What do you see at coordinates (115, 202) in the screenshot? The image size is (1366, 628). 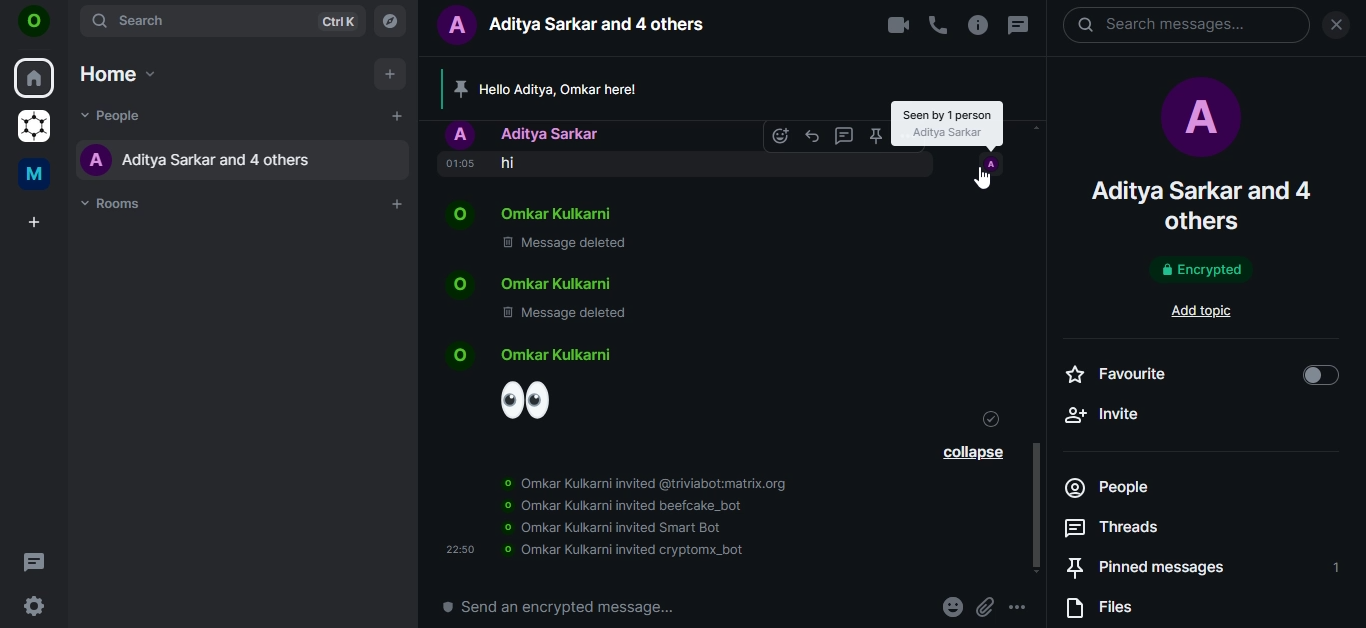 I see `rooms` at bounding box center [115, 202].